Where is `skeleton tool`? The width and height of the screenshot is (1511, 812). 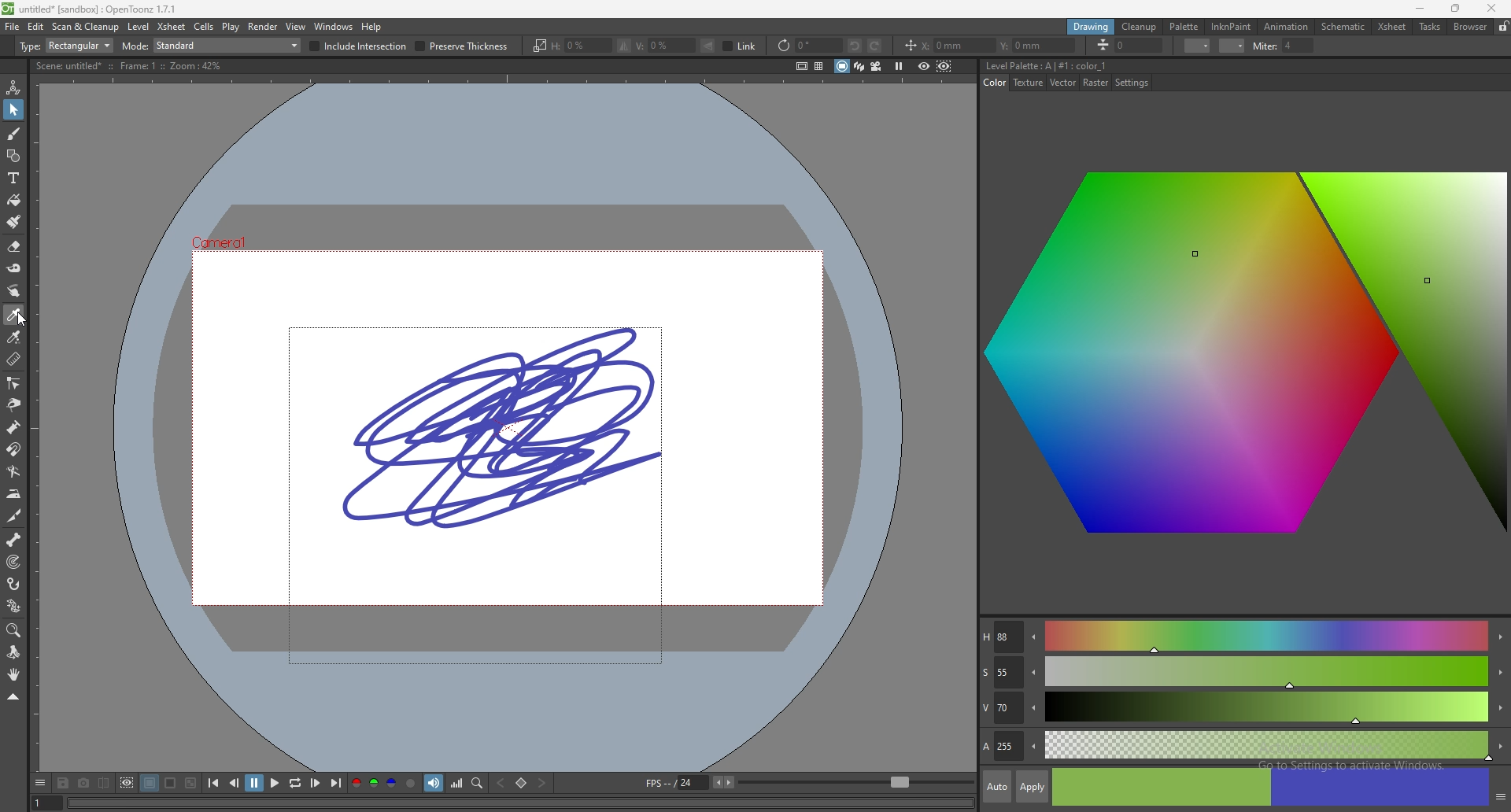
skeleton tool is located at coordinates (14, 539).